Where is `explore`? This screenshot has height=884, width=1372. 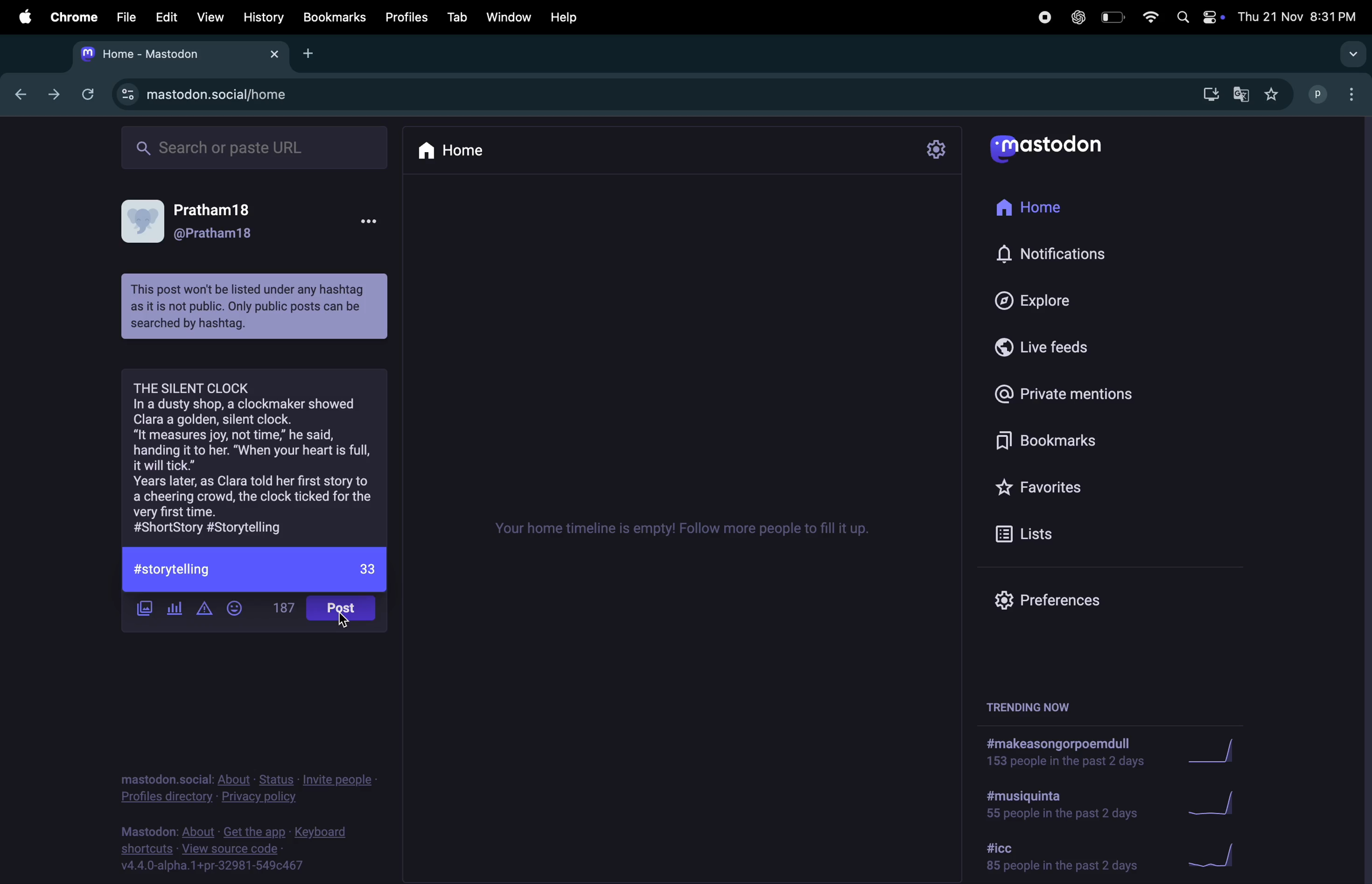
explore is located at coordinates (1043, 300).